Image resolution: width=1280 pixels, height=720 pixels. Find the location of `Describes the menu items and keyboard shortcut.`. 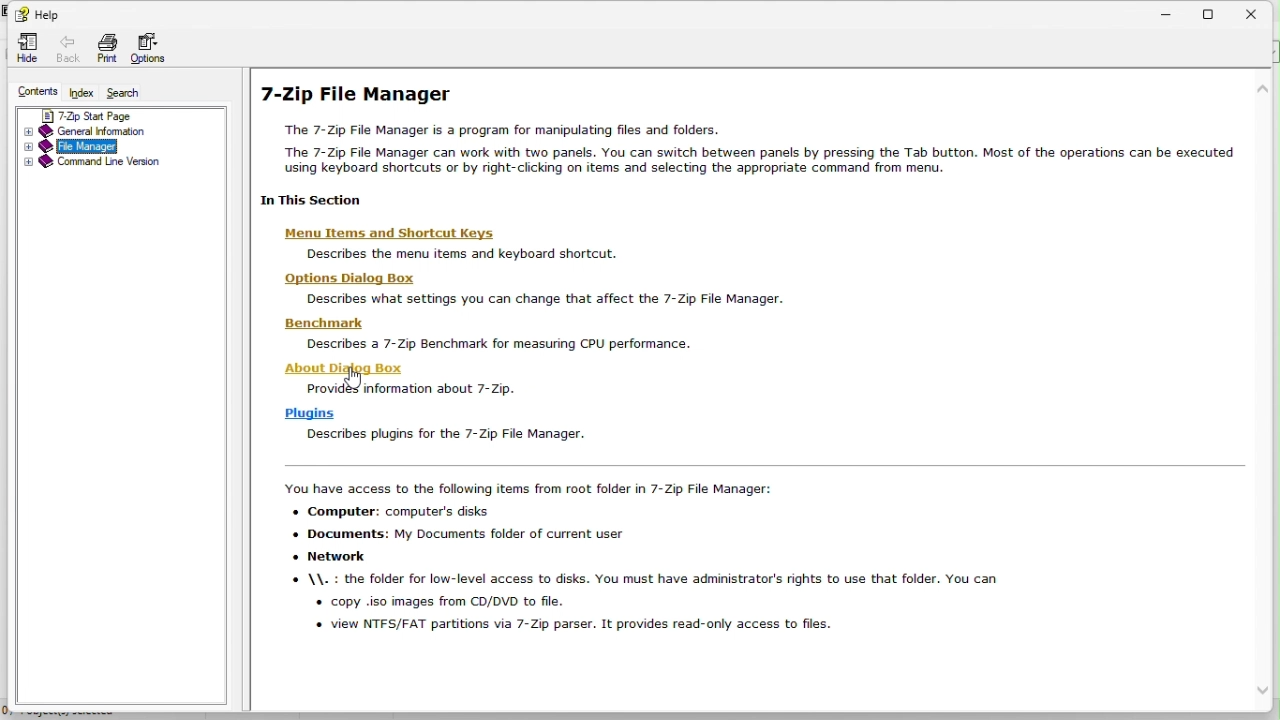

Describes the menu items and keyboard shortcut. is located at coordinates (471, 254).